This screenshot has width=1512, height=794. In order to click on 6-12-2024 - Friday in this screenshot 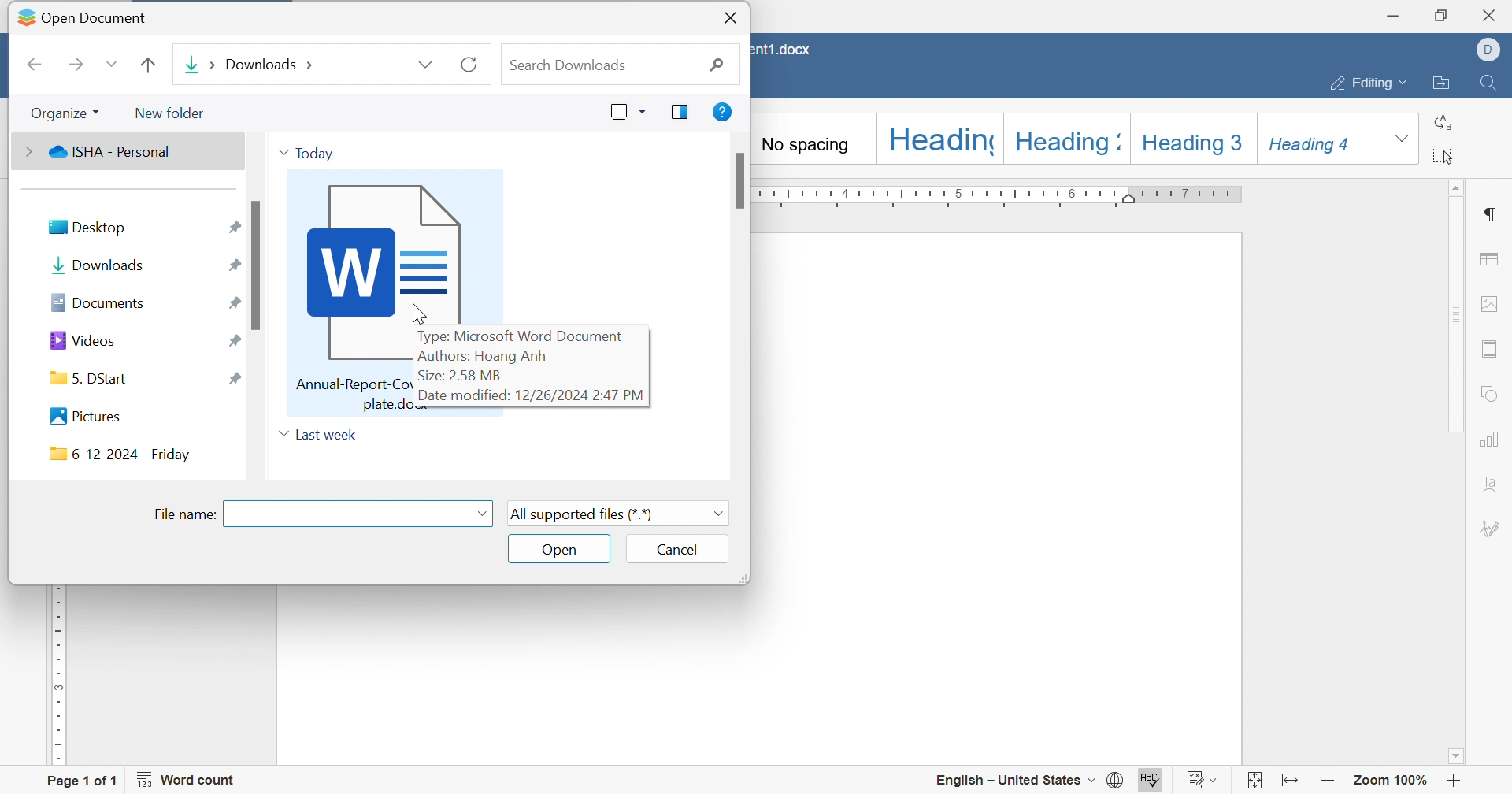, I will do `click(117, 454)`.